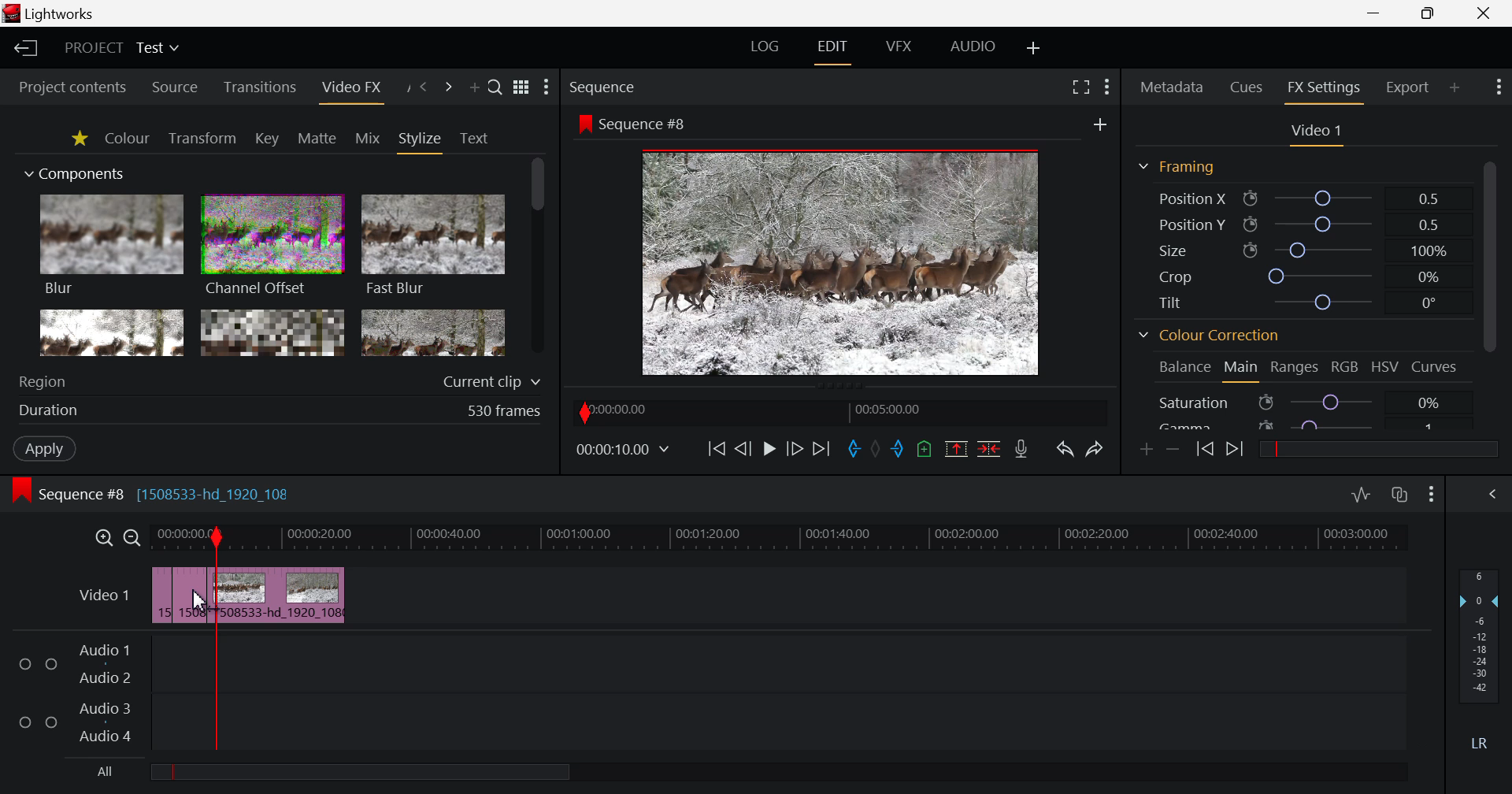  What do you see at coordinates (1032, 48) in the screenshot?
I see `Add Layout` at bounding box center [1032, 48].